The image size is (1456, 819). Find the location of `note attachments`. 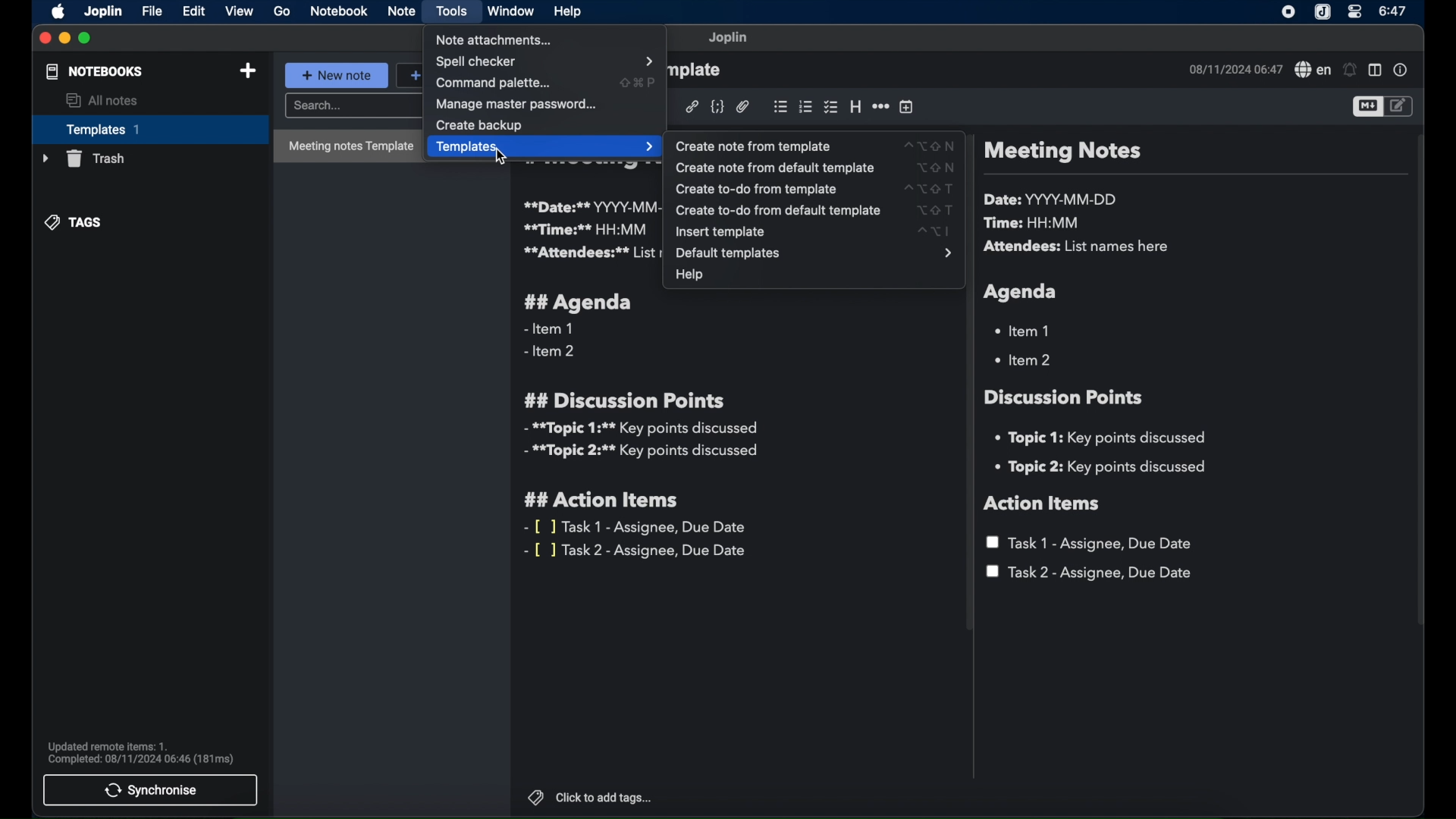

note attachments is located at coordinates (496, 40).